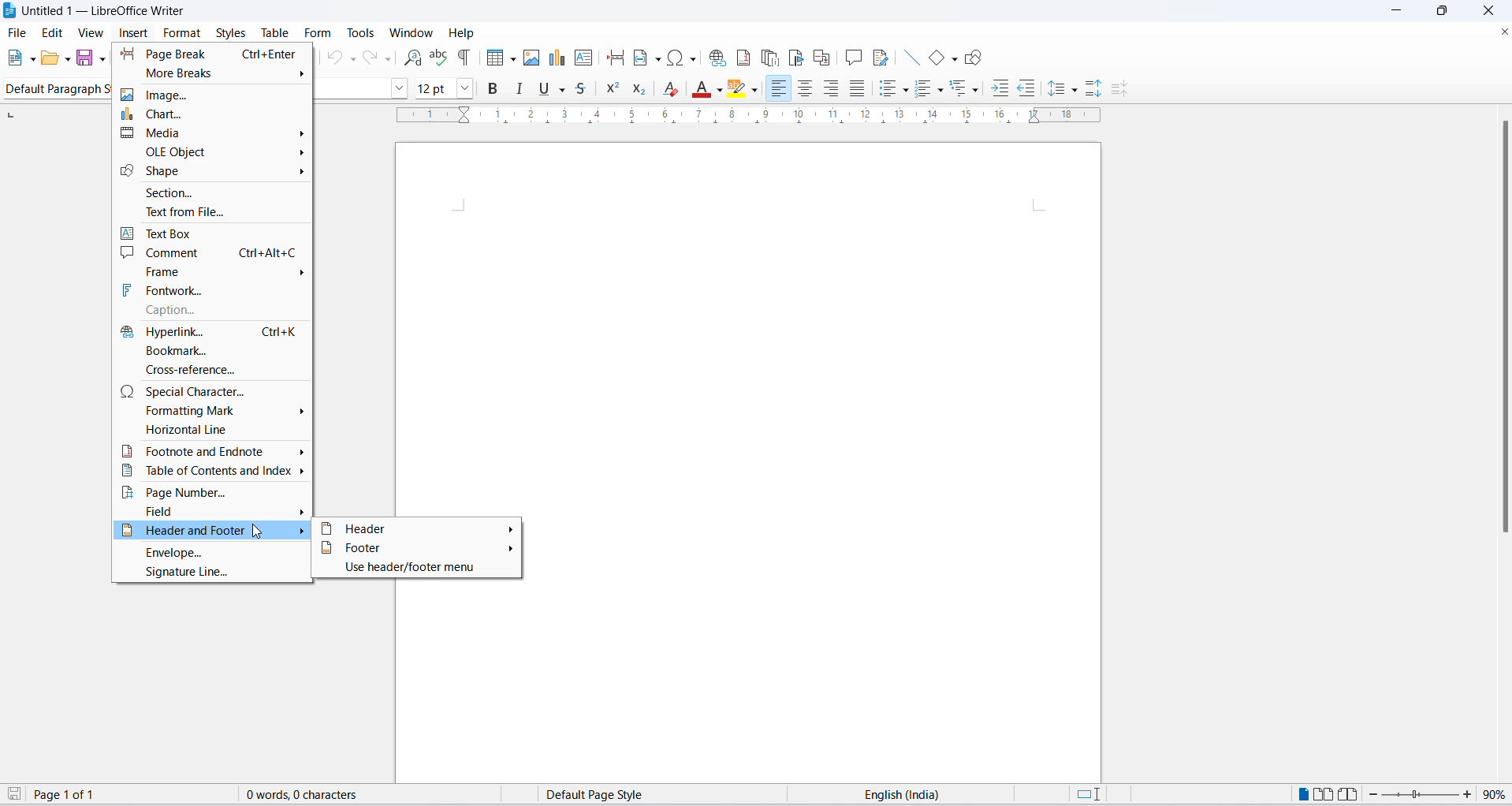  I want to click on caption, so click(210, 310).